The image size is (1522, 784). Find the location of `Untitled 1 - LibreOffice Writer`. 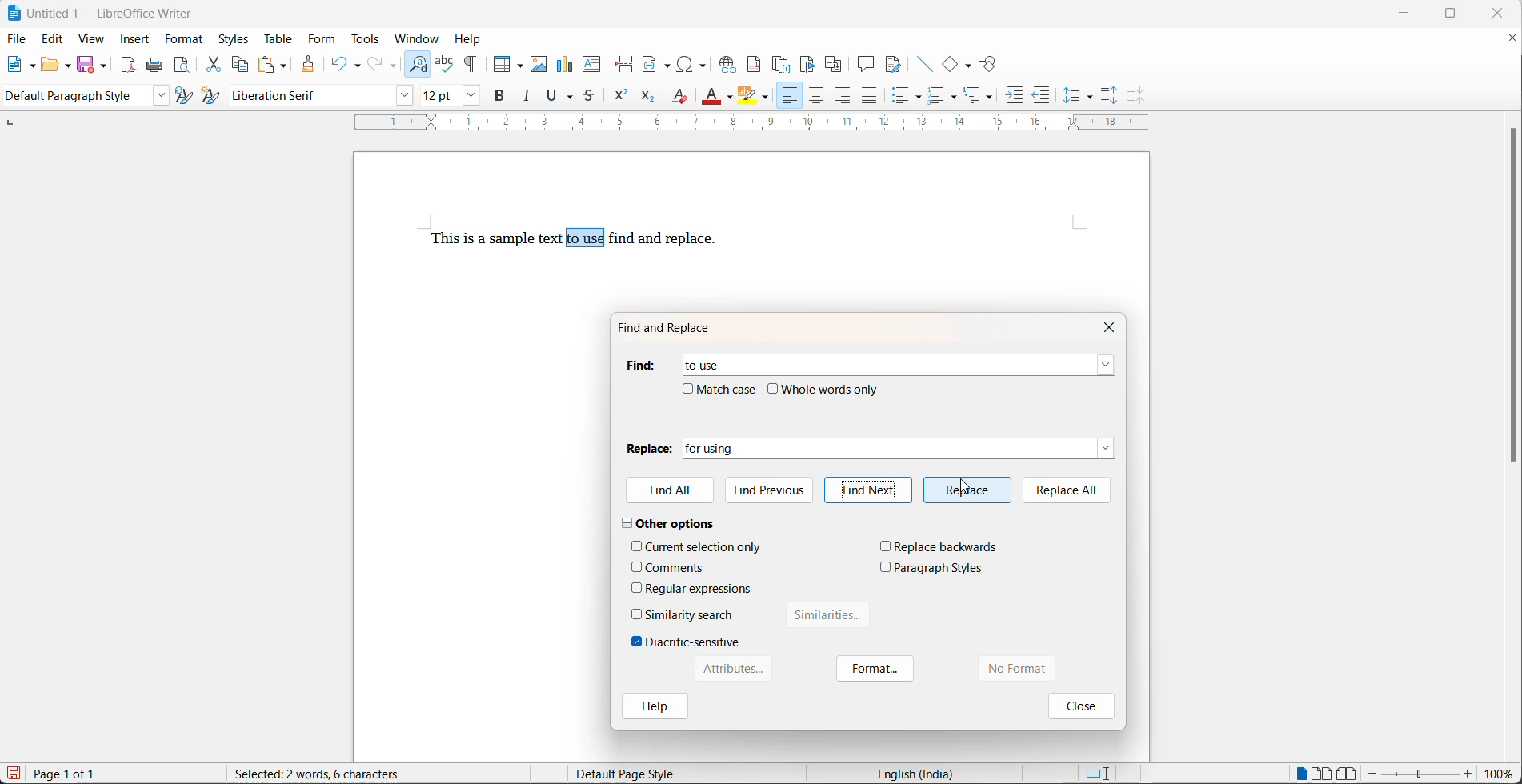

Untitled 1 - LibreOffice Writer is located at coordinates (102, 12).